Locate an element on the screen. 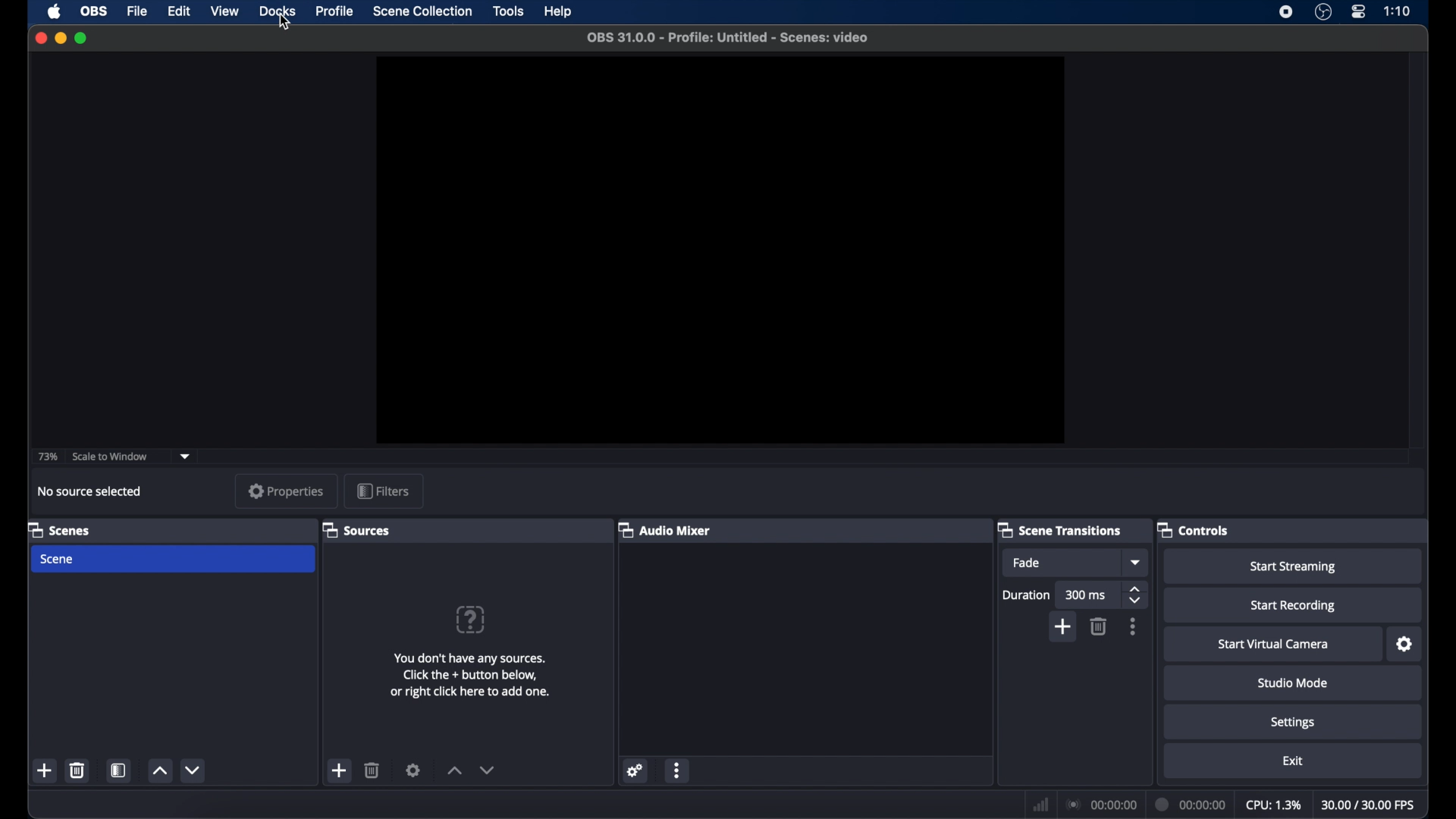 The height and width of the screenshot is (819, 1456). add is located at coordinates (338, 770).